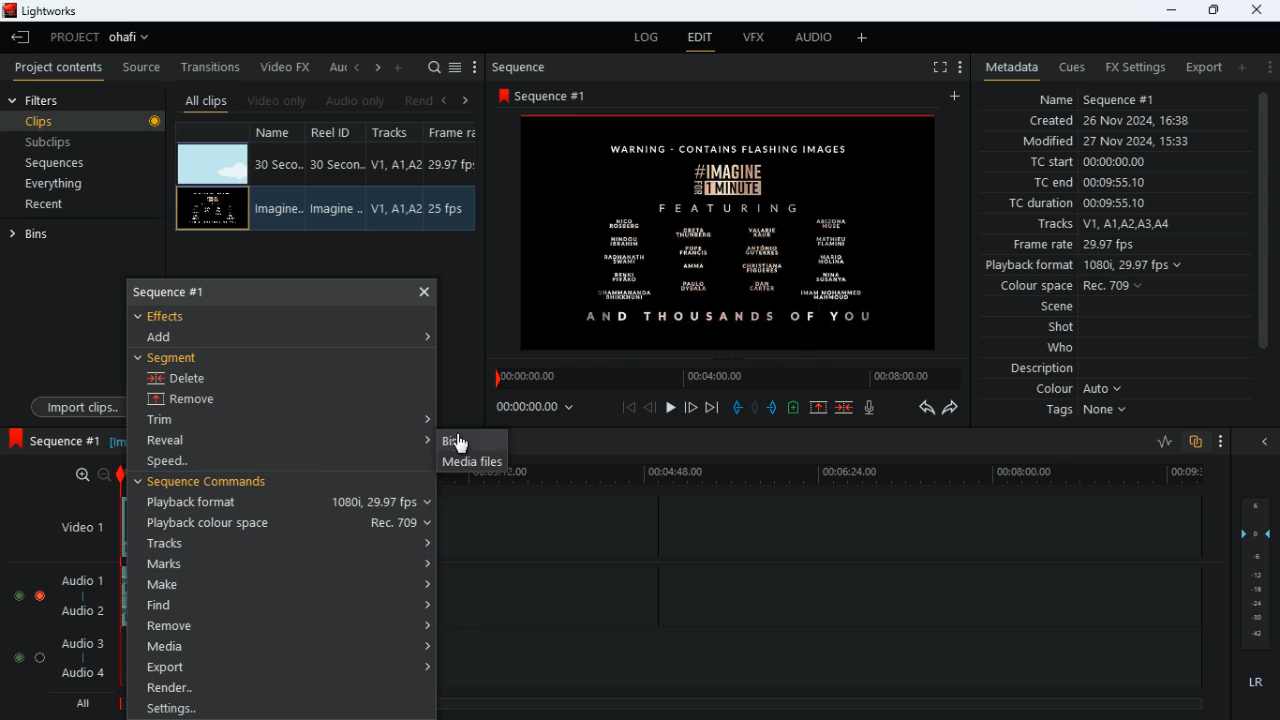  I want to click on filters, so click(46, 101).